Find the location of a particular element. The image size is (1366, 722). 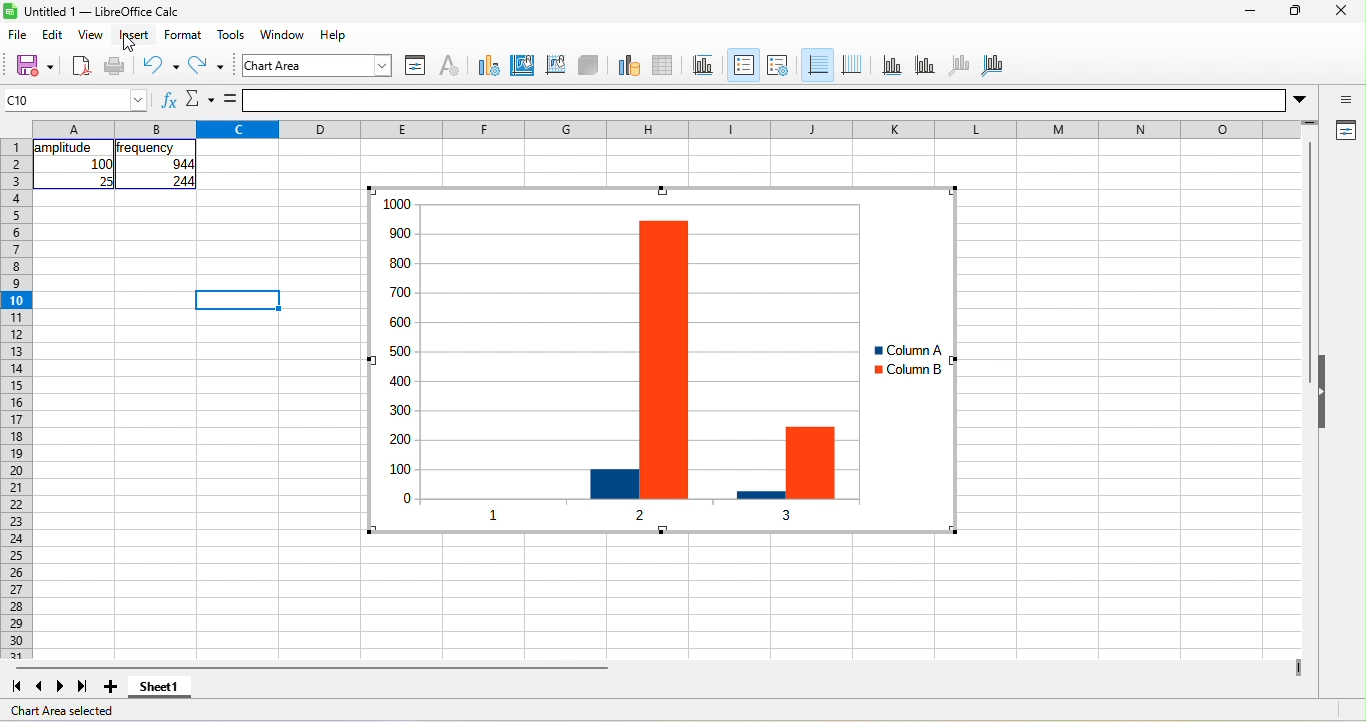

y axis is located at coordinates (923, 64).